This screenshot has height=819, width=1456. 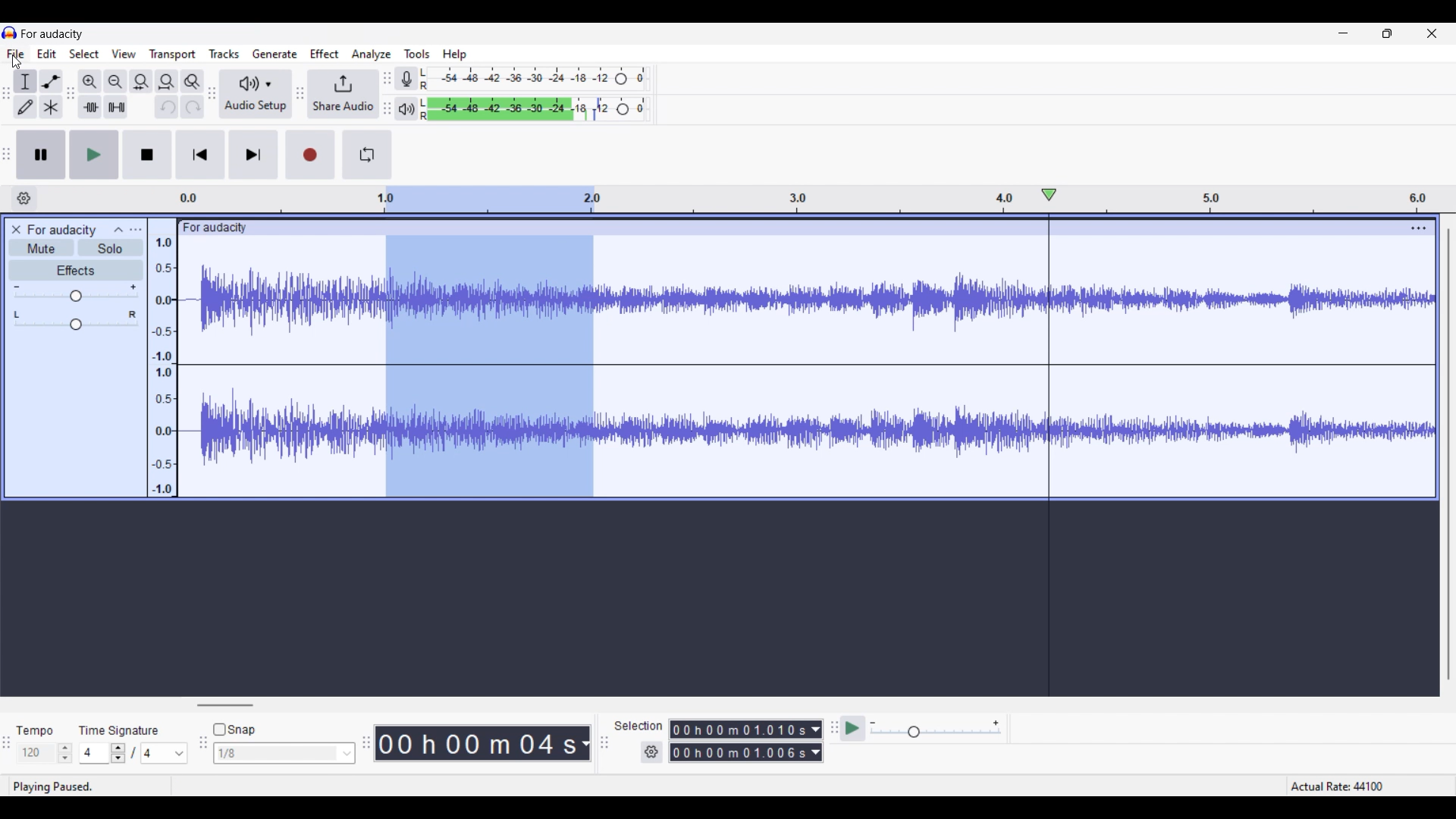 What do you see at coordinates (935, 729) in the screenshot?
I see `Playback speed scale` at bounding box center [935, 729].